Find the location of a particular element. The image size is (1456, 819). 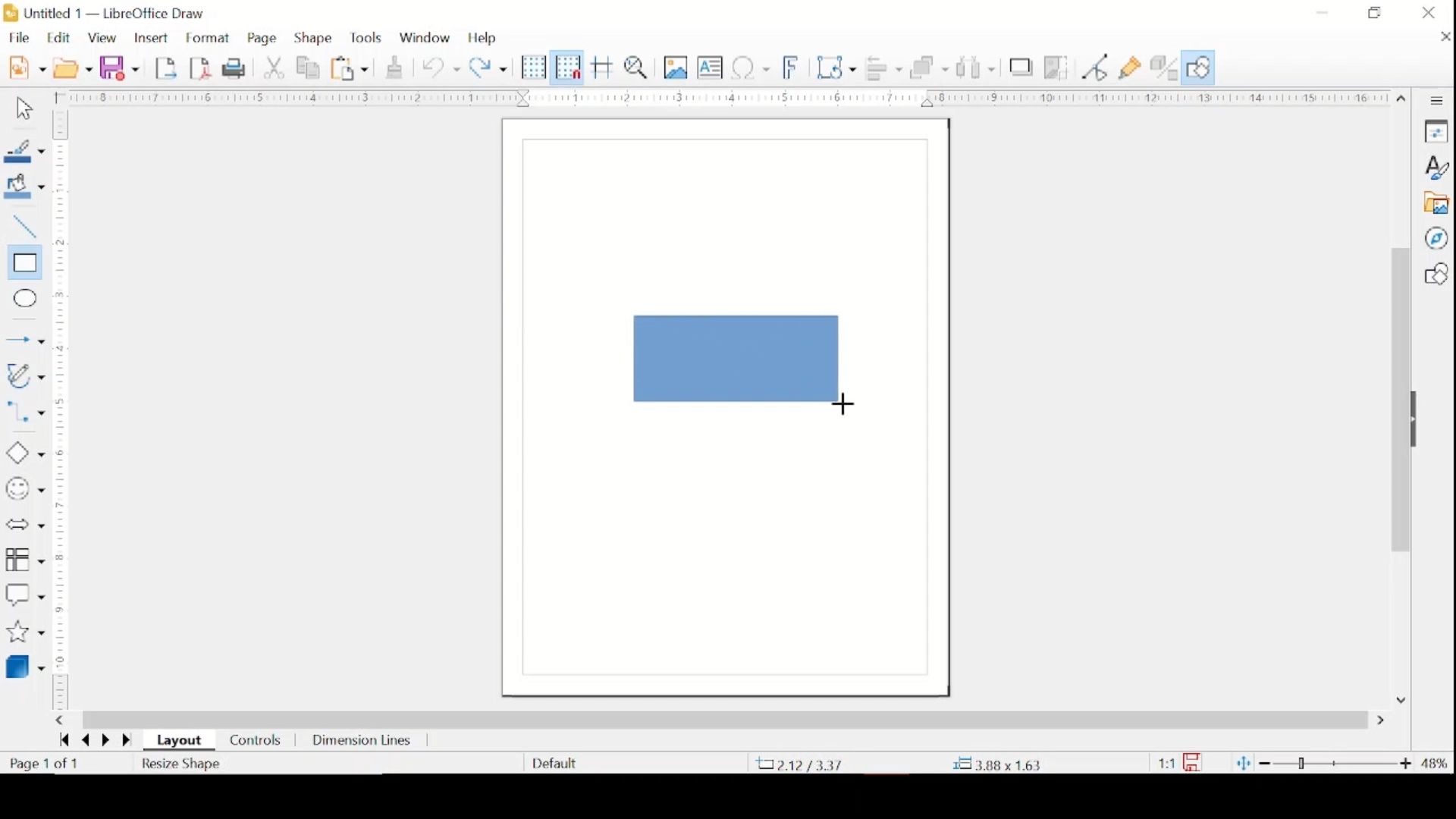

arrange is located at coordinates (930, 67).